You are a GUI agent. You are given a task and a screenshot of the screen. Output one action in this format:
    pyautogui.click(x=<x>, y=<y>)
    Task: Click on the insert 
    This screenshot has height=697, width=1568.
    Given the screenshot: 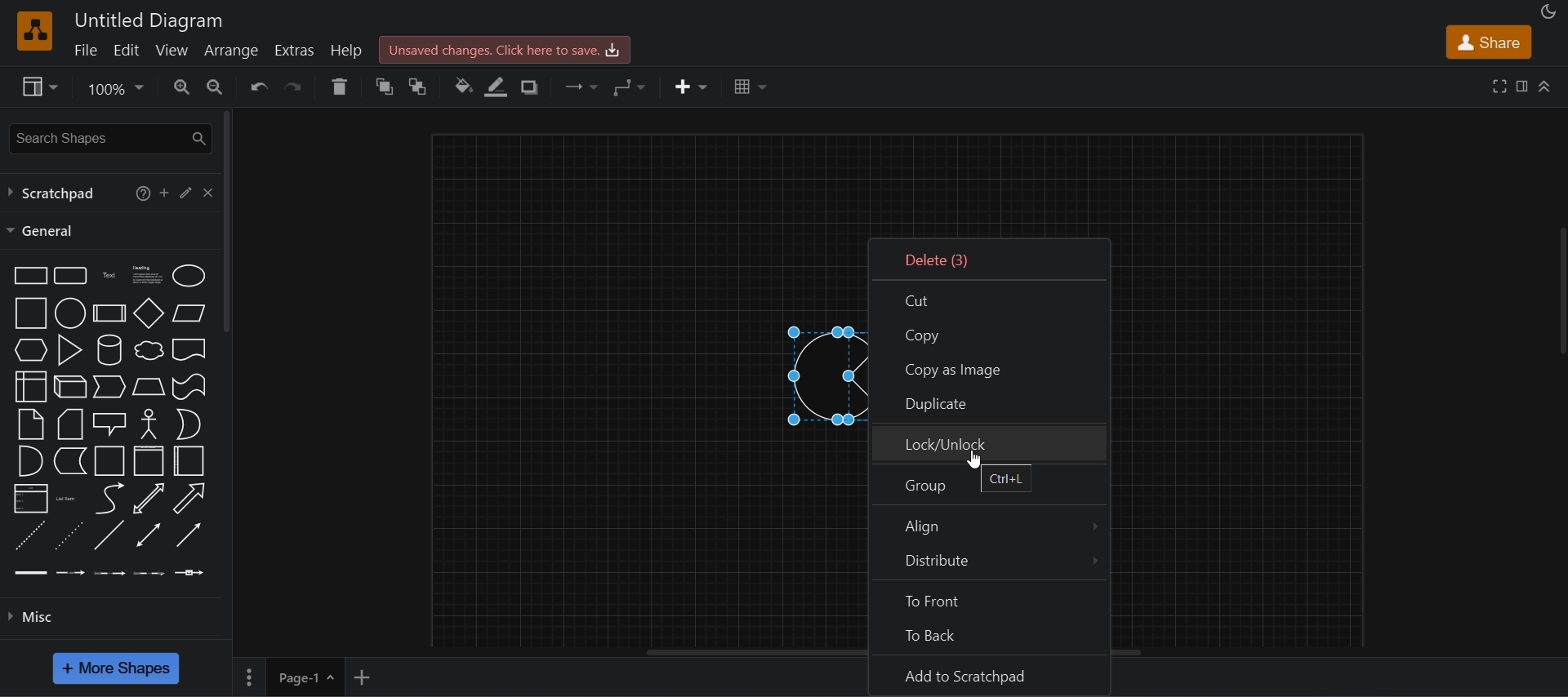 What is the action you would take?
    pyautogui.click(x=692, y=87)
    